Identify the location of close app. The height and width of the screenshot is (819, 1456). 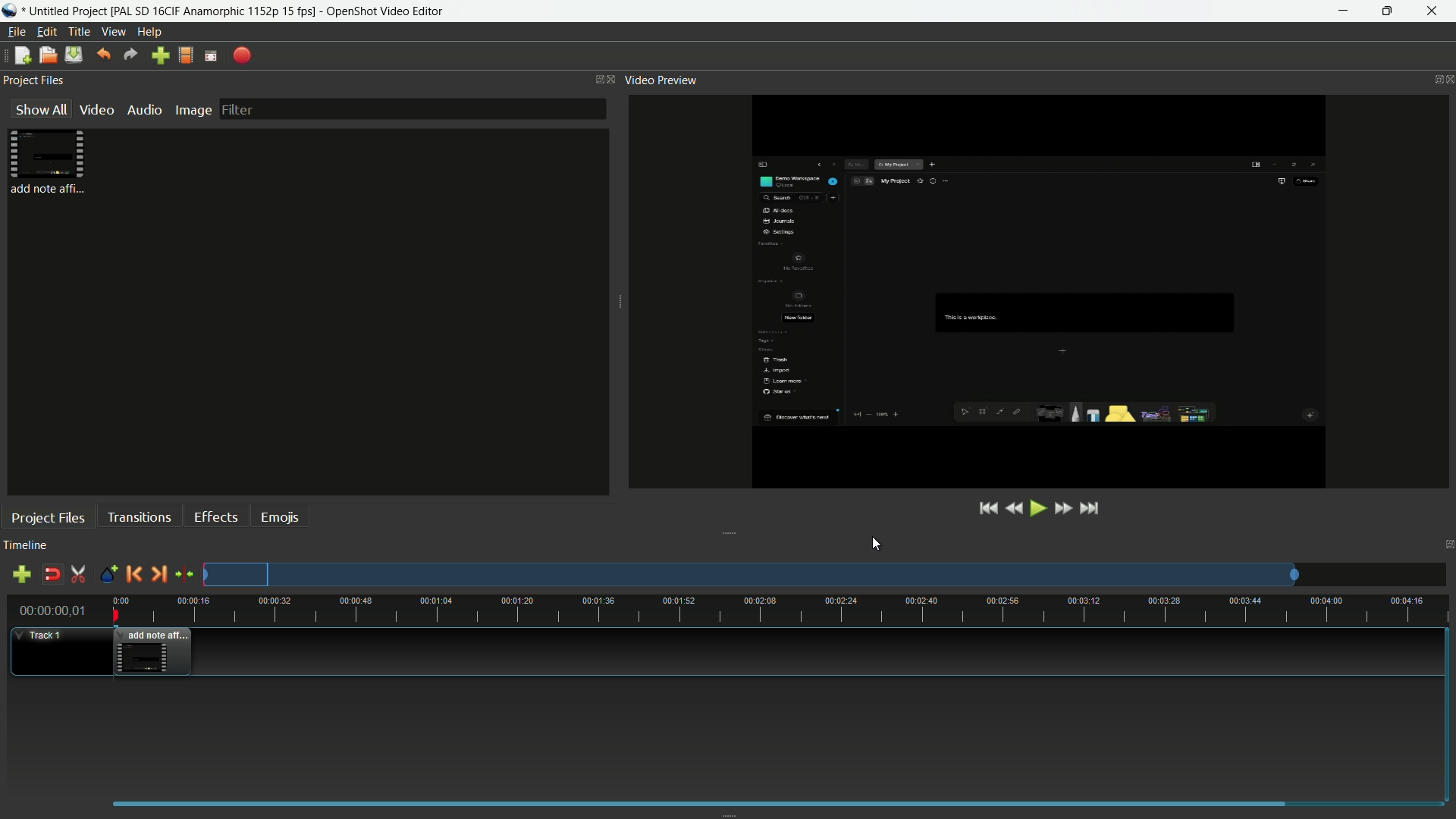
(1437, 11).